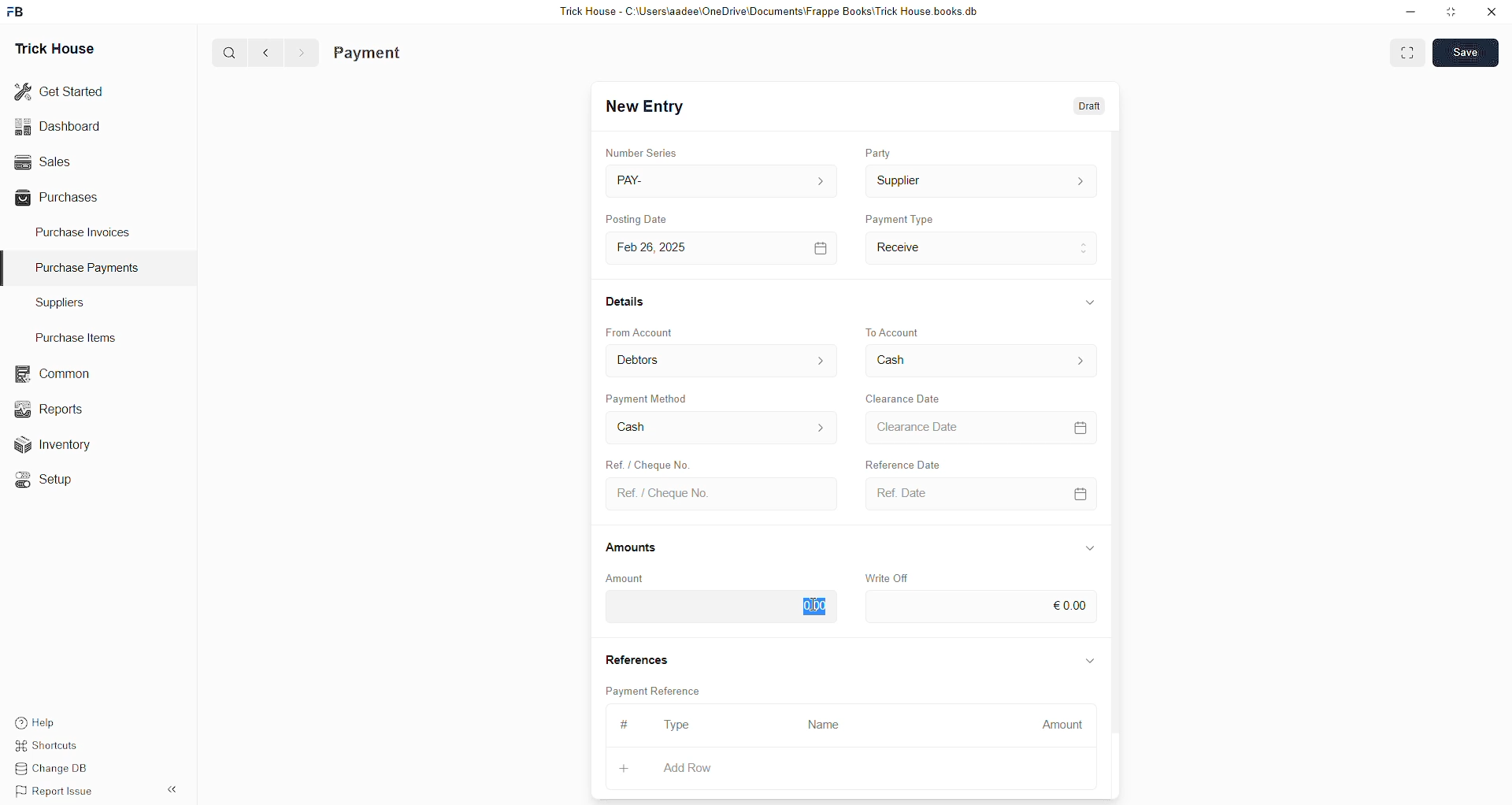 This screenshot has height=805, width=1512. Describe the element at coordinates (981, 247) in the screenshot. I see ` Receive` at that location.